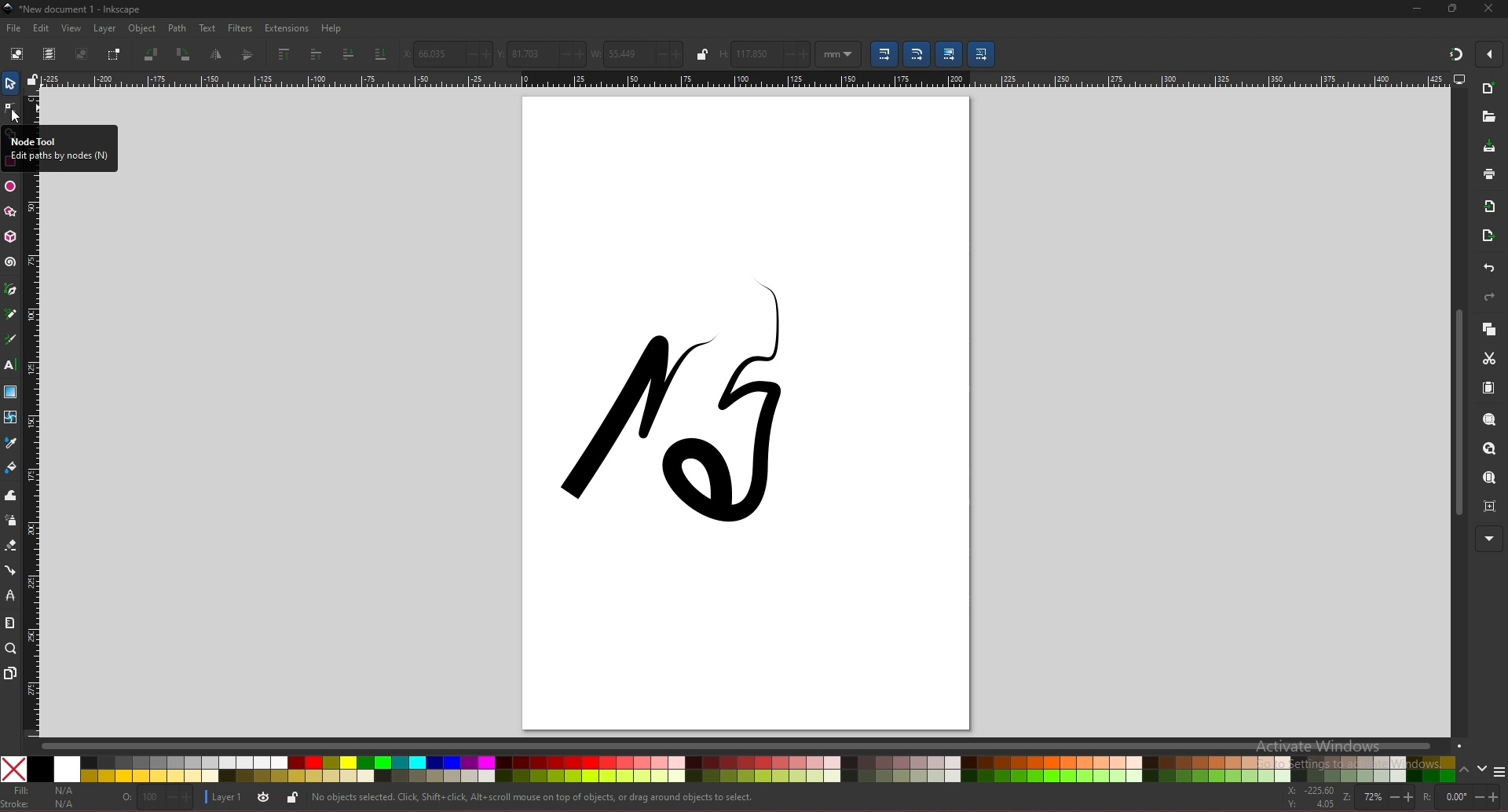  I want to click on filters, so click(240, 28).